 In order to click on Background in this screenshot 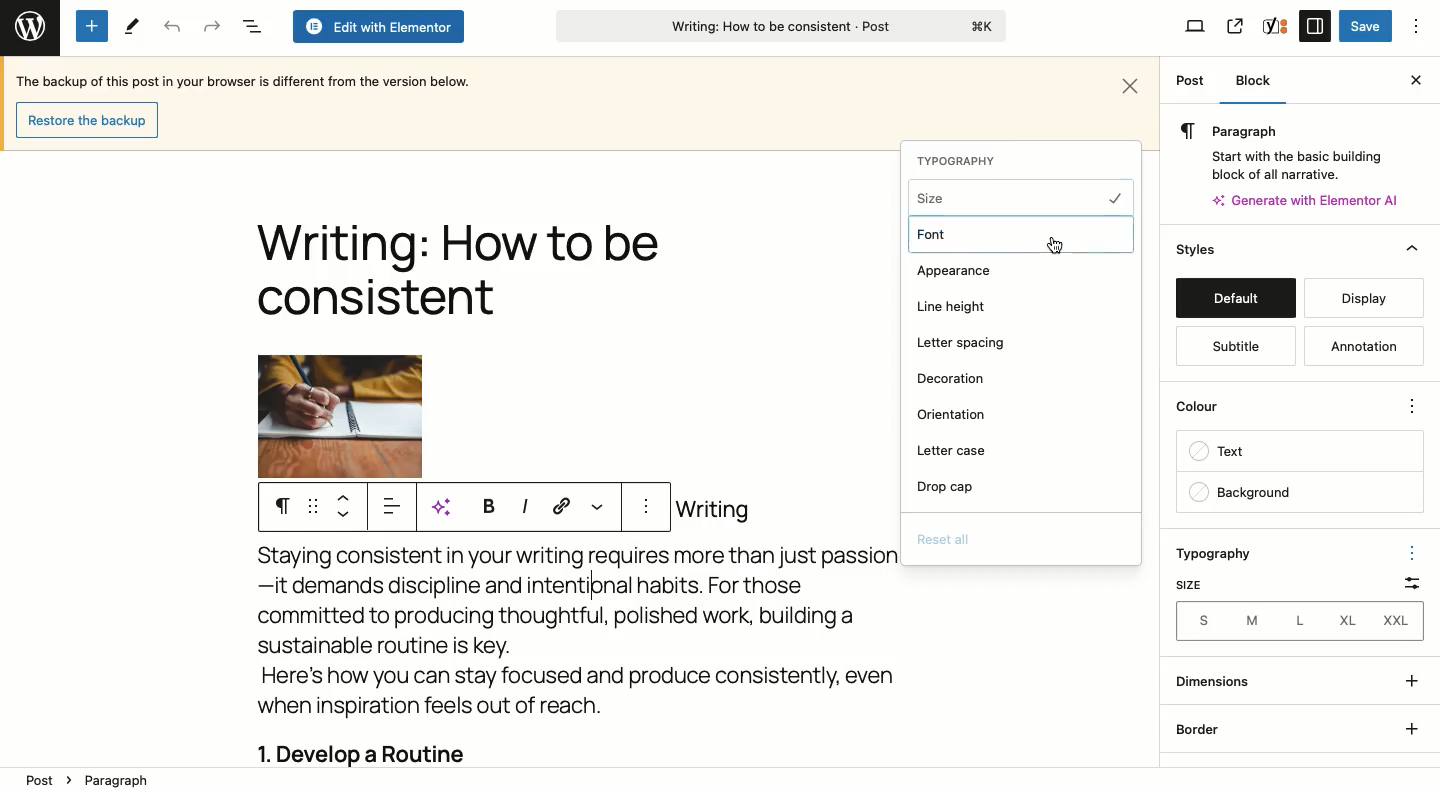, I will do `click(1298, 492)`.